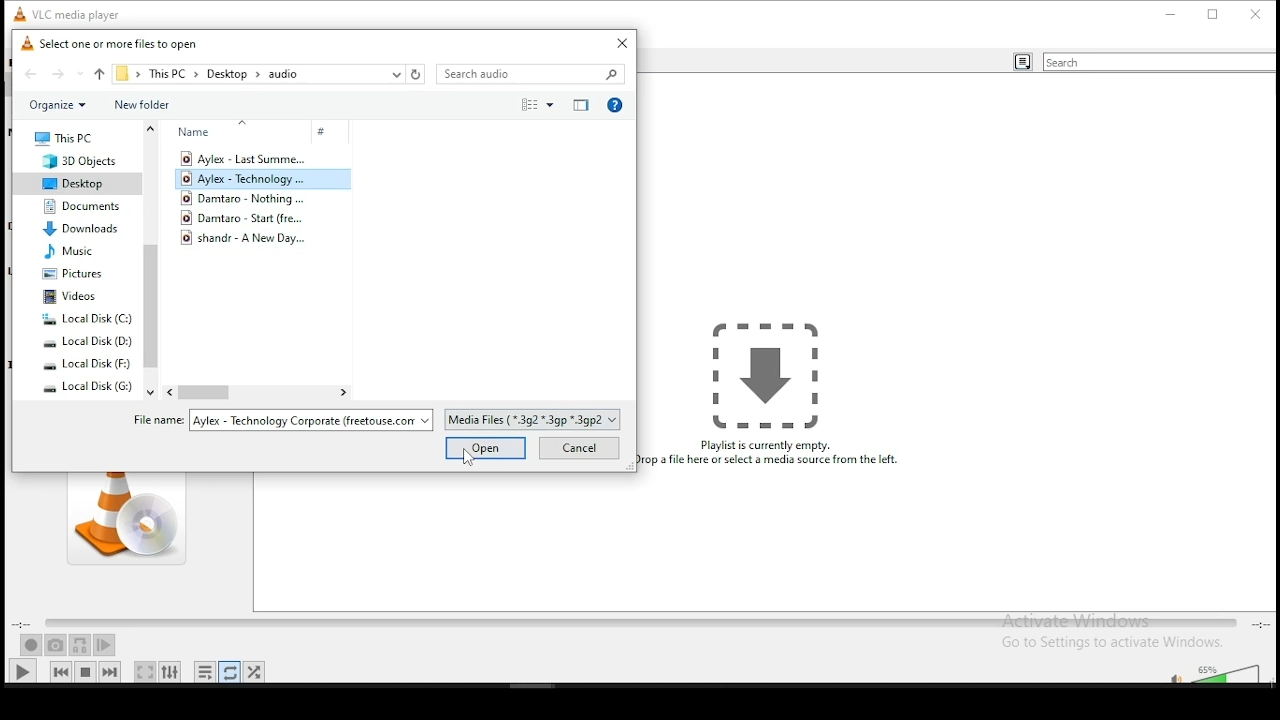 The height and width of the screenshot is (720, 1280). Describe the element at coordinates (78, 12) in the screenshot. I see `VLC media player` at that location.